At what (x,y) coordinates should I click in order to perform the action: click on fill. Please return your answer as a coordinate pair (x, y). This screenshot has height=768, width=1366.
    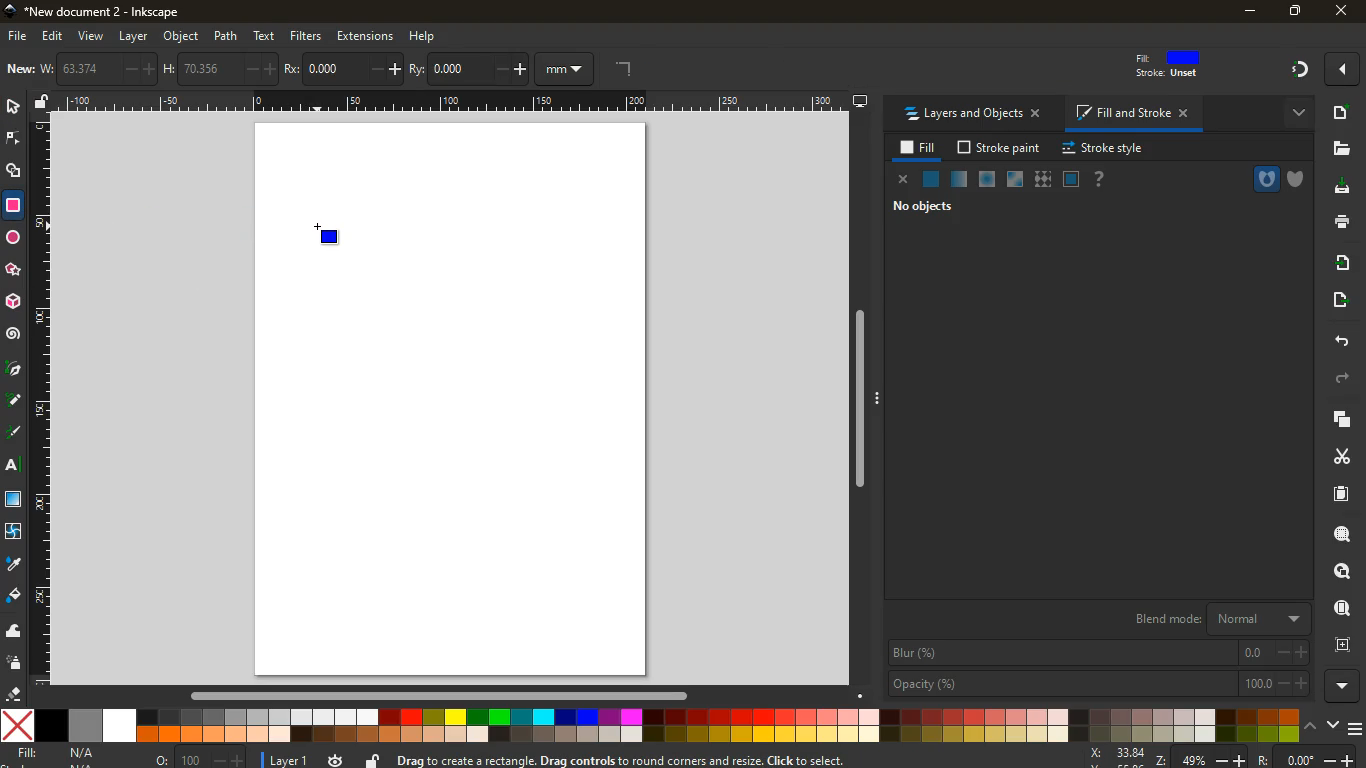
    Looking at the image, I should click on (64, 754).